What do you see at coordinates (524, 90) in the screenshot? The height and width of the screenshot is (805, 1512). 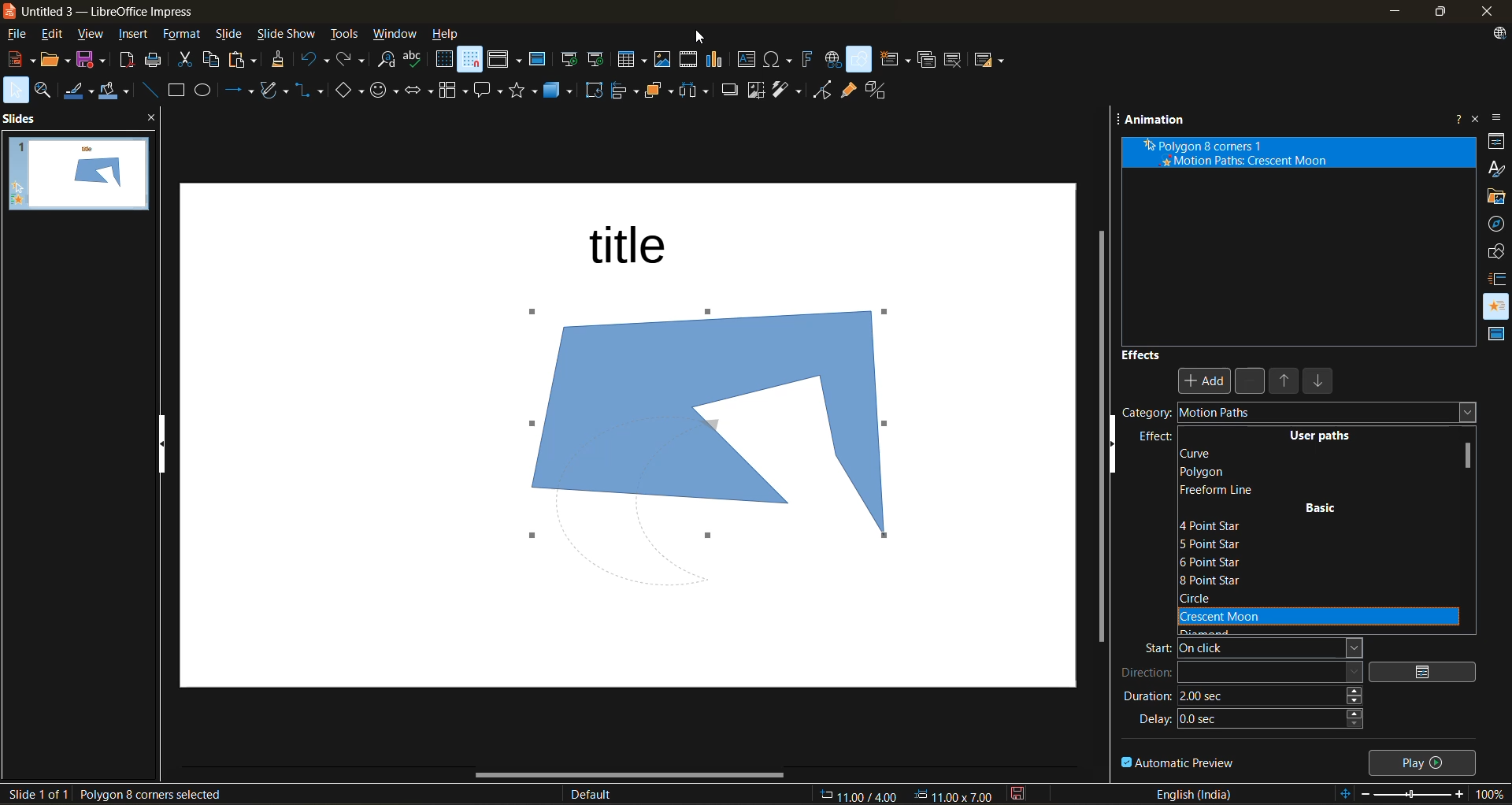 I see `stars and banners` at bounding box center [524, 90].